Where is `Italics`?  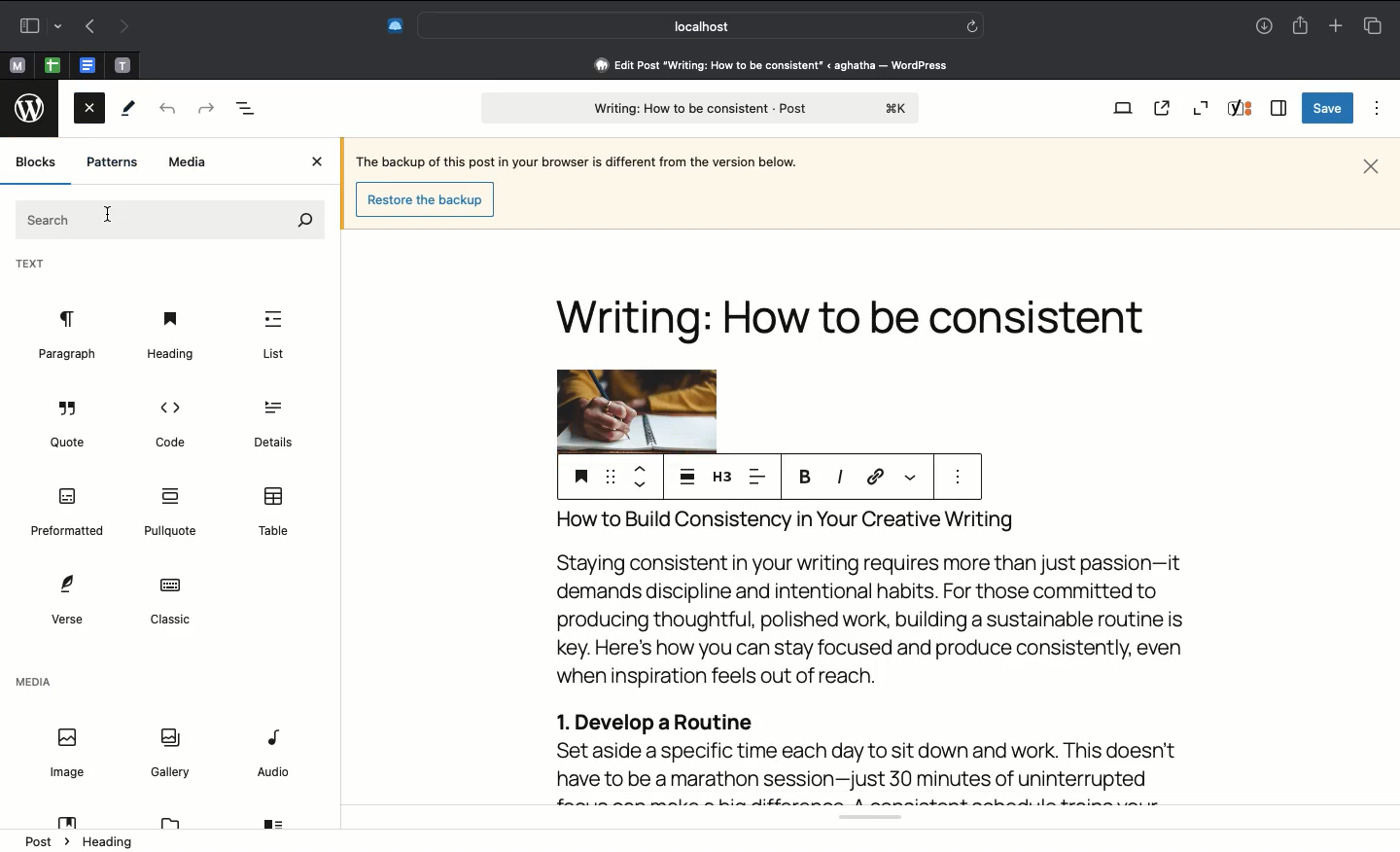 Italics is located at coordinates (839, 478).